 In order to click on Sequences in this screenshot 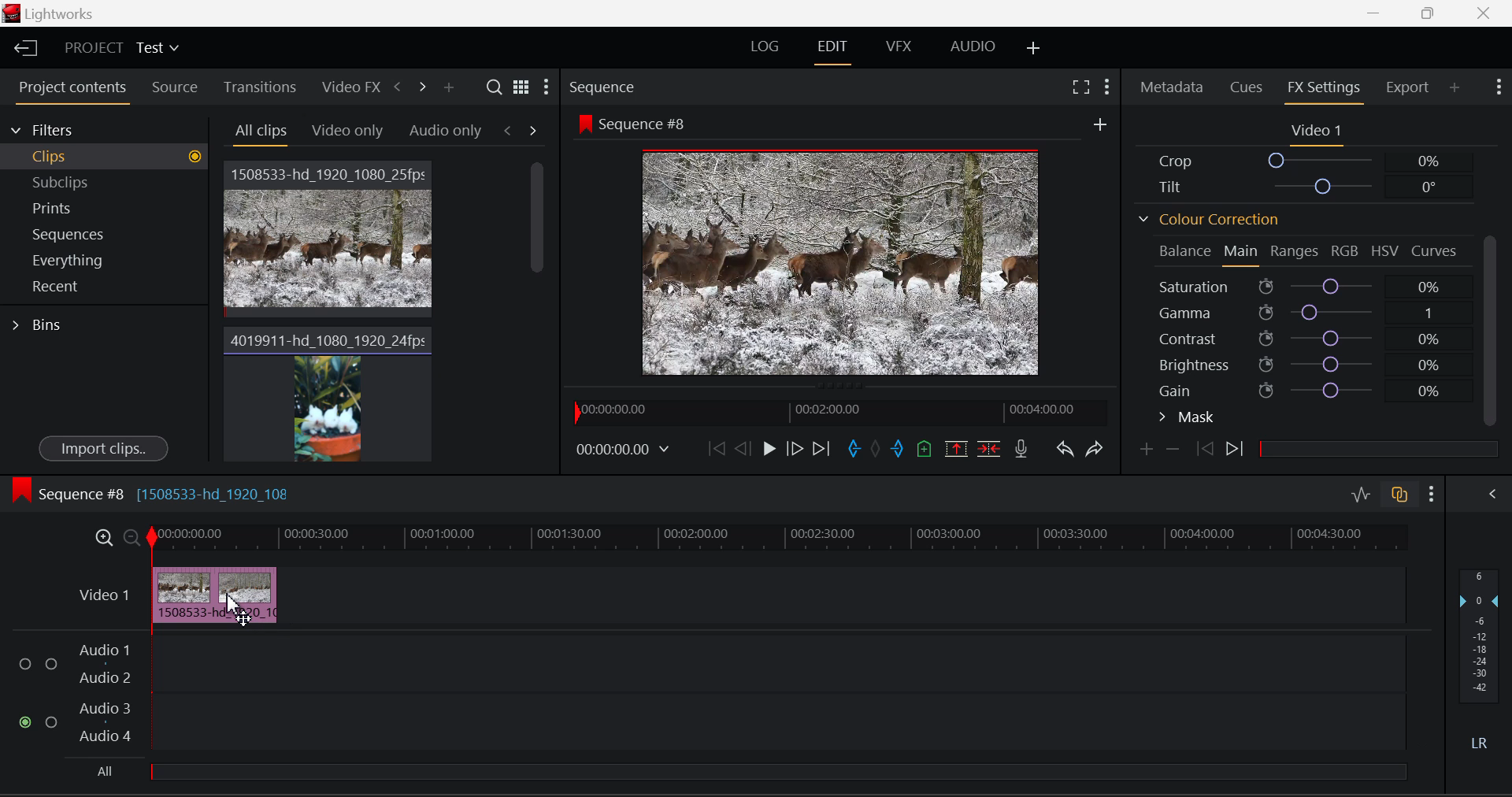, I will do `click(112, 235)`.